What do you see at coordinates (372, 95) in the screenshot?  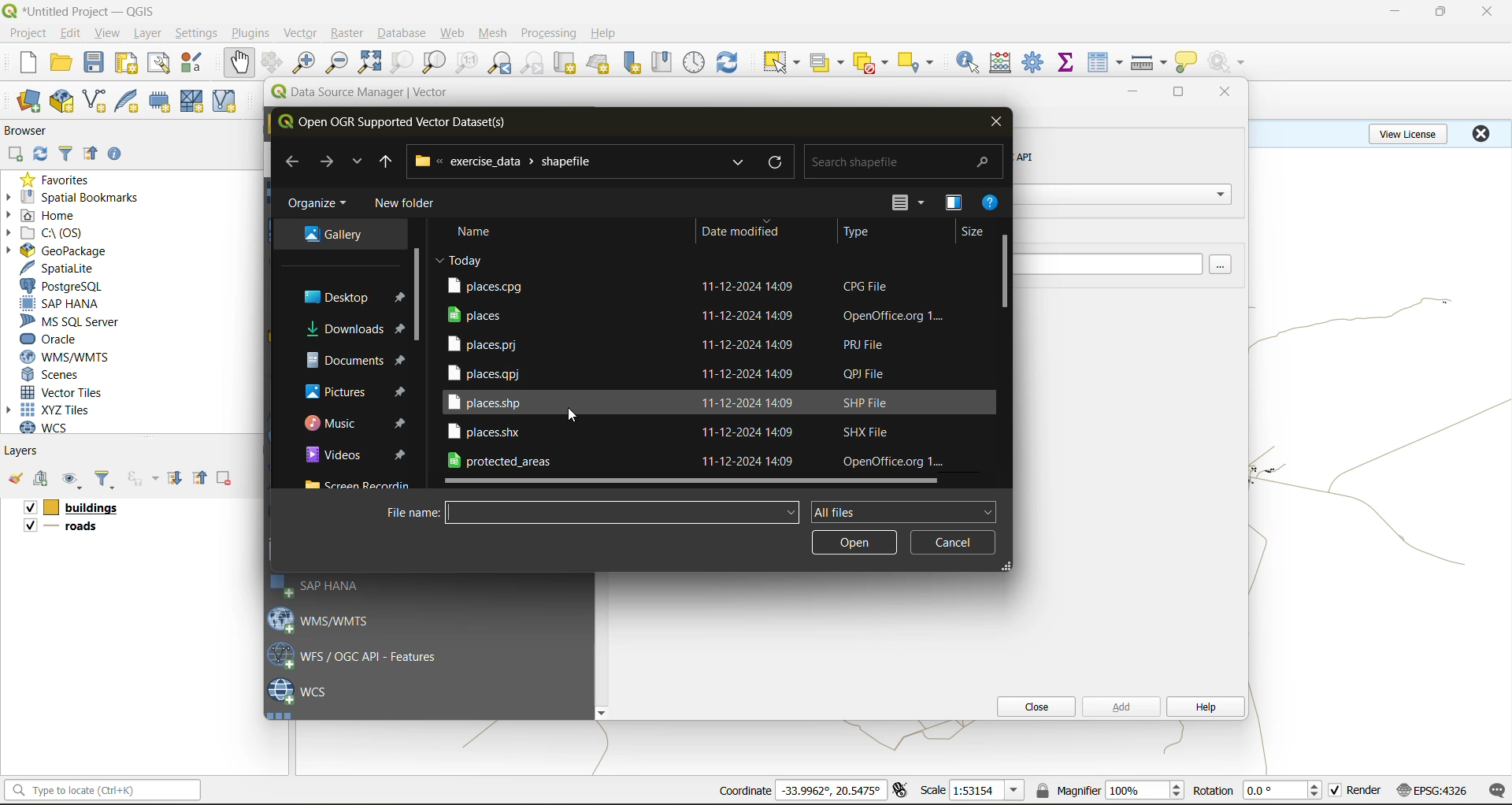 I see `data source manager` at bounding box center [372, 95].